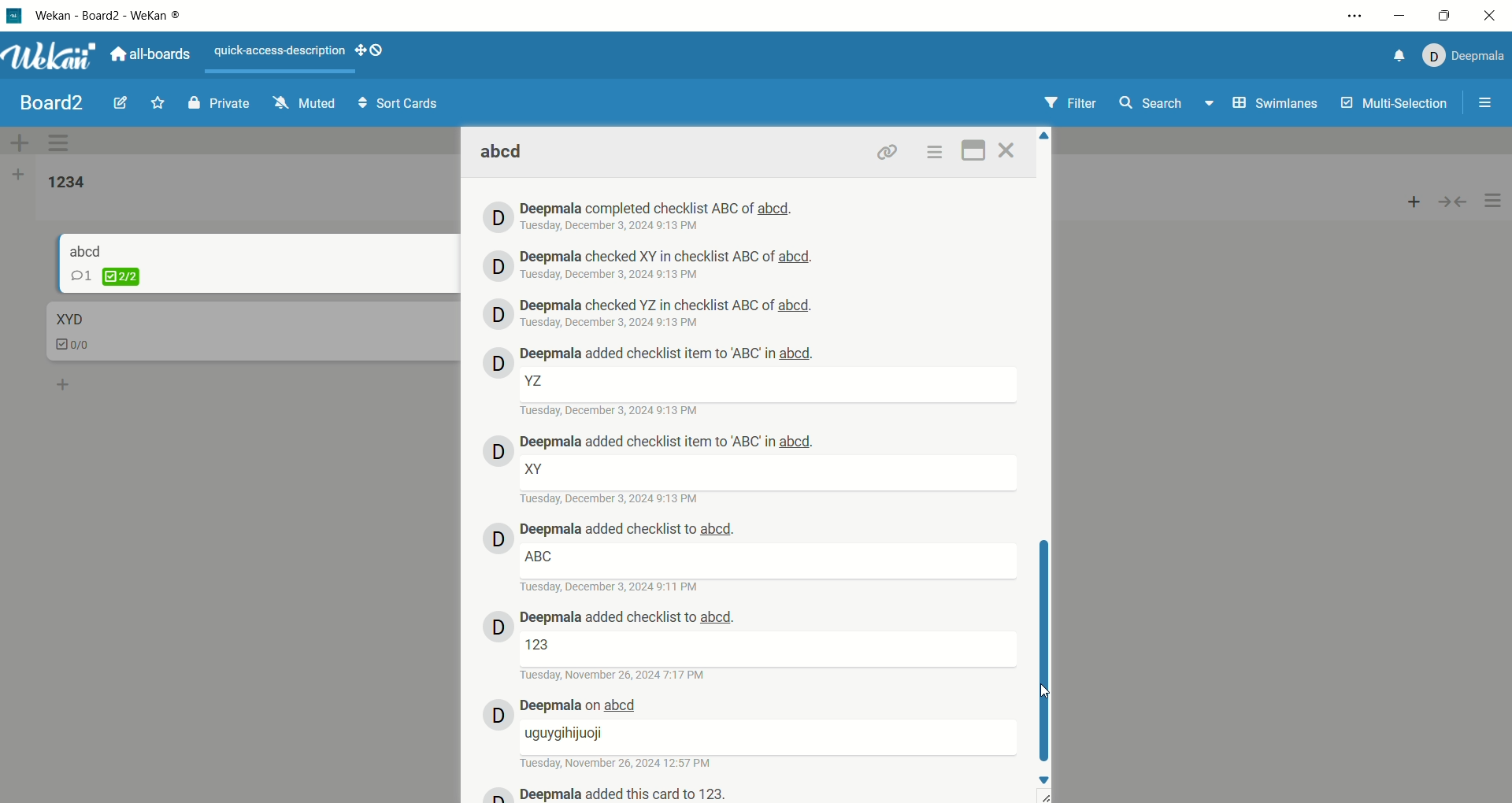 The height and width of the screenshot is (803, 1512). Describe the element at coordinates (495, 265) in the screenshot. I see `avatar` at that location.